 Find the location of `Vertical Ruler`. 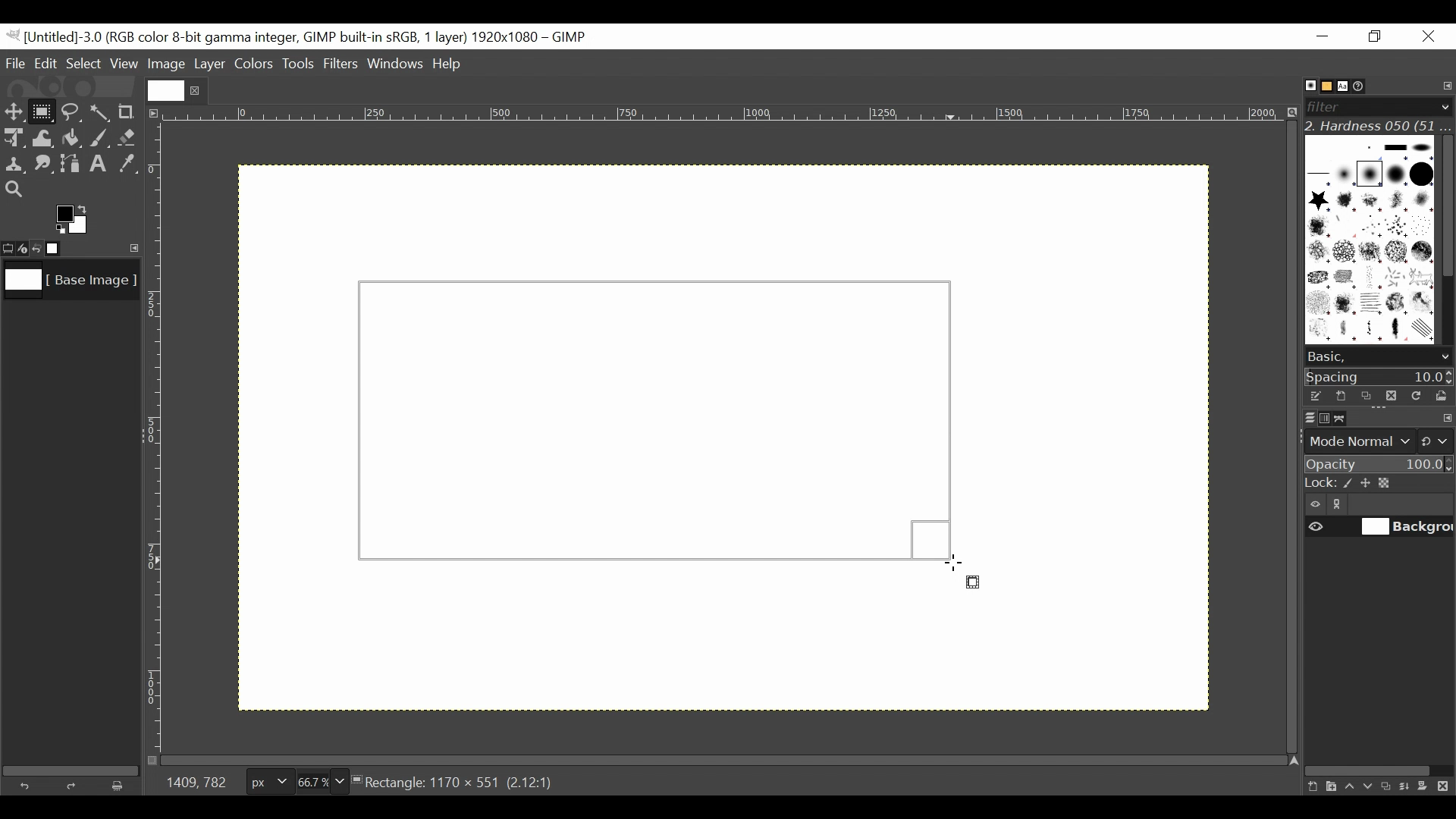

Vertical Ruler is located at coordinates (155, 438).